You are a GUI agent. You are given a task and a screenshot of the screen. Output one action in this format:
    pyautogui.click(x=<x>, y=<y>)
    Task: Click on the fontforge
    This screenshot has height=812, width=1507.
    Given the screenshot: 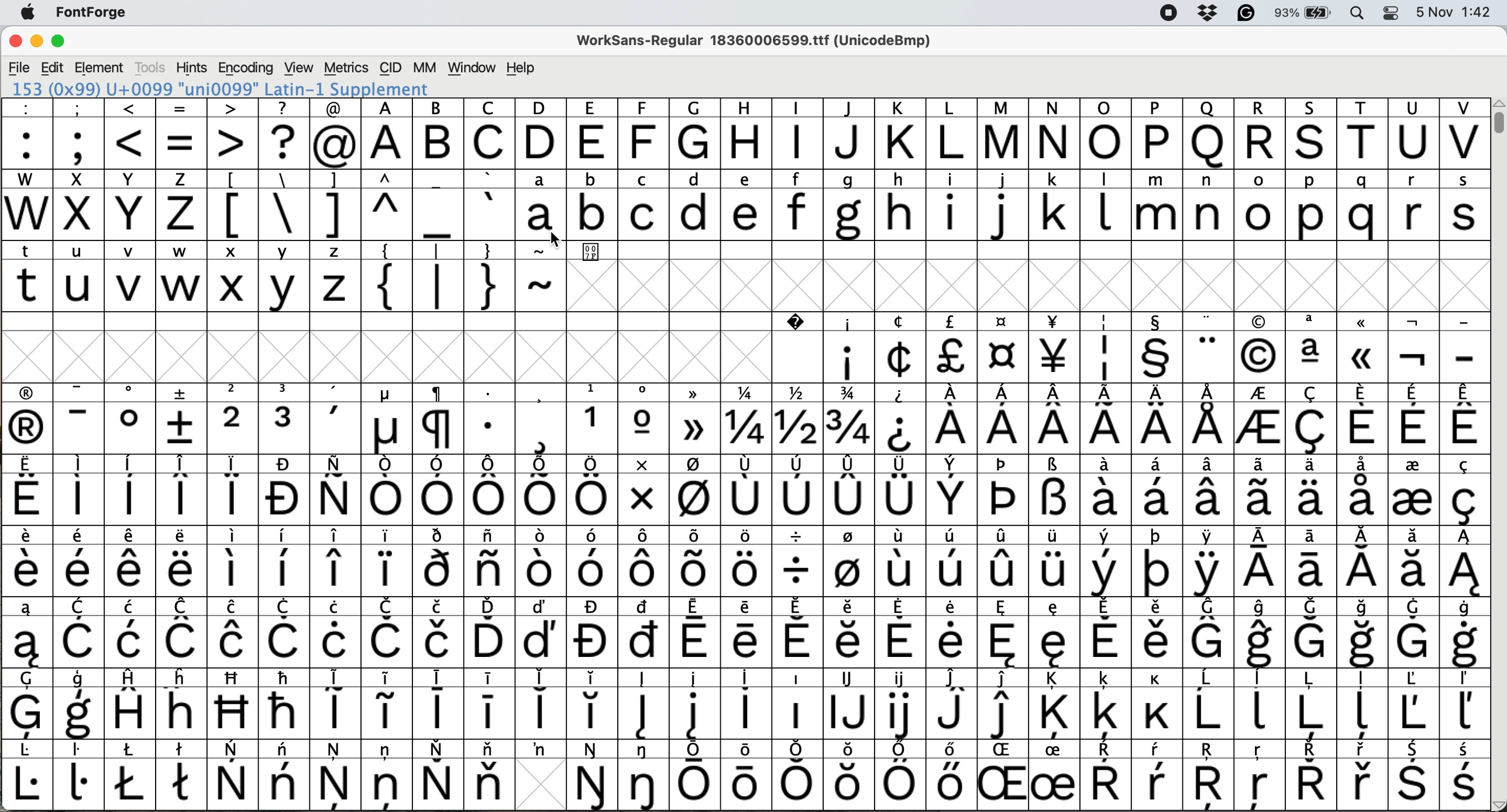 What is the action you would take?
    pyautogui.click(x=95, y=13)
    